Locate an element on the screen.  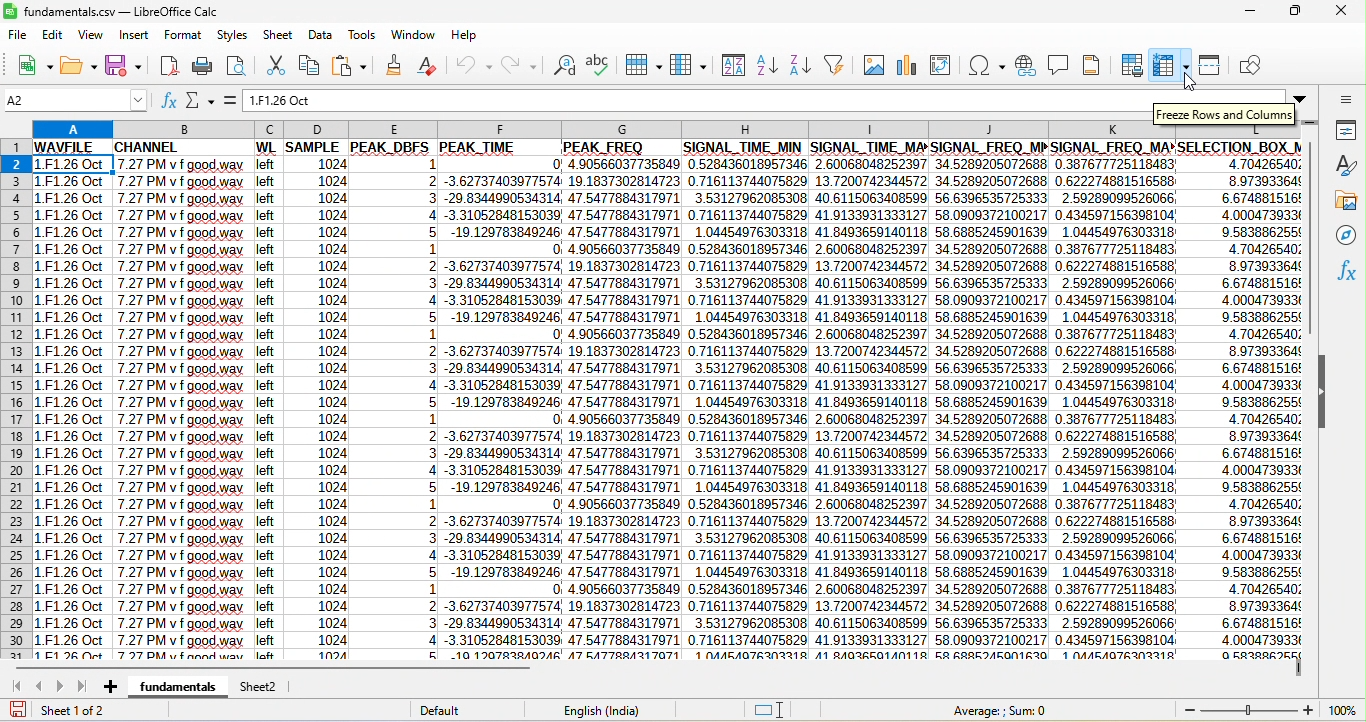
next sheet is located at coordinates (62, 683).